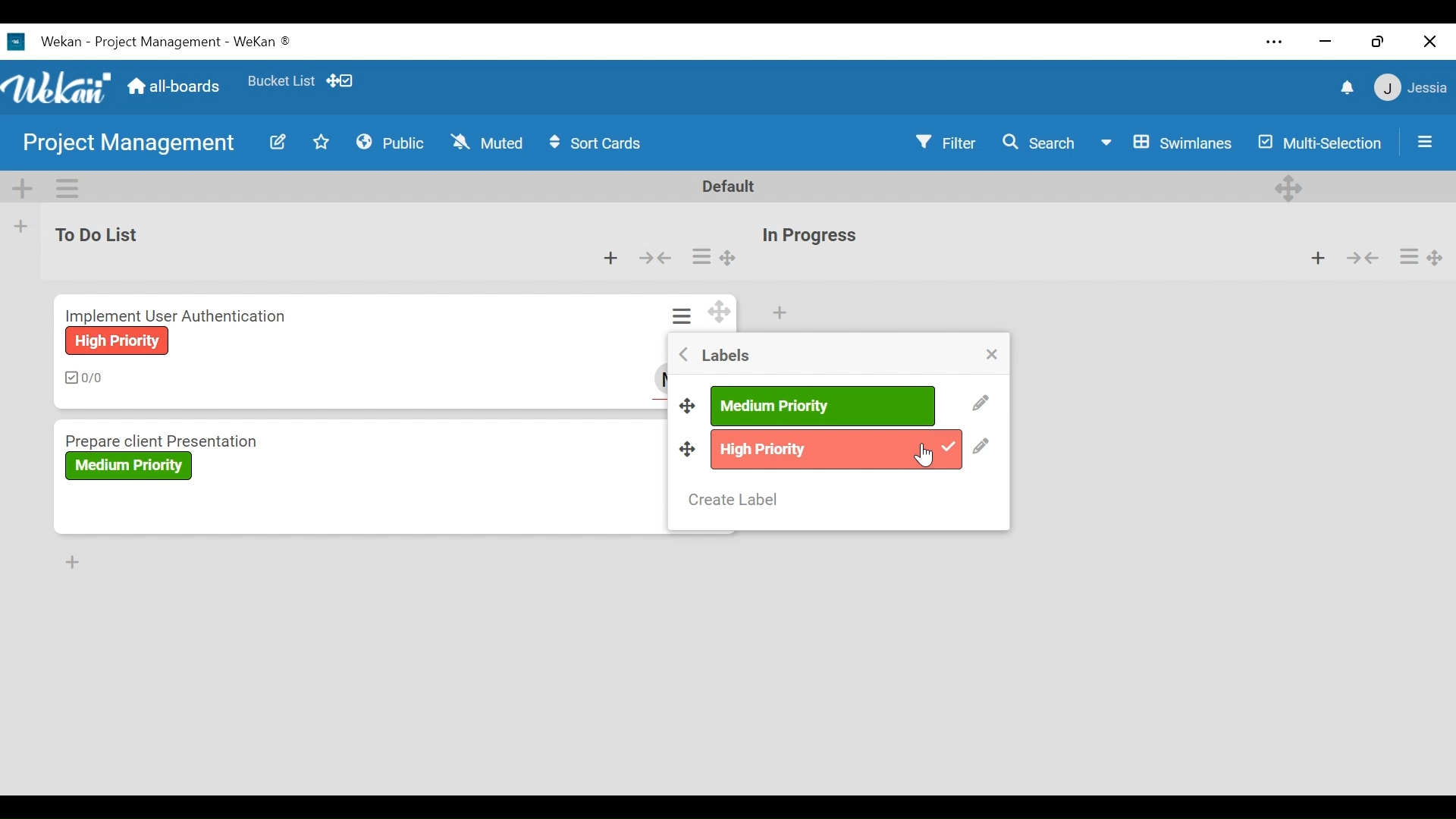 The width and height of the screenshot is (1456, 819). What do you see at coordinates (391, 141) in the screenshot?
I see `Public` at bounding box center [391, 141].